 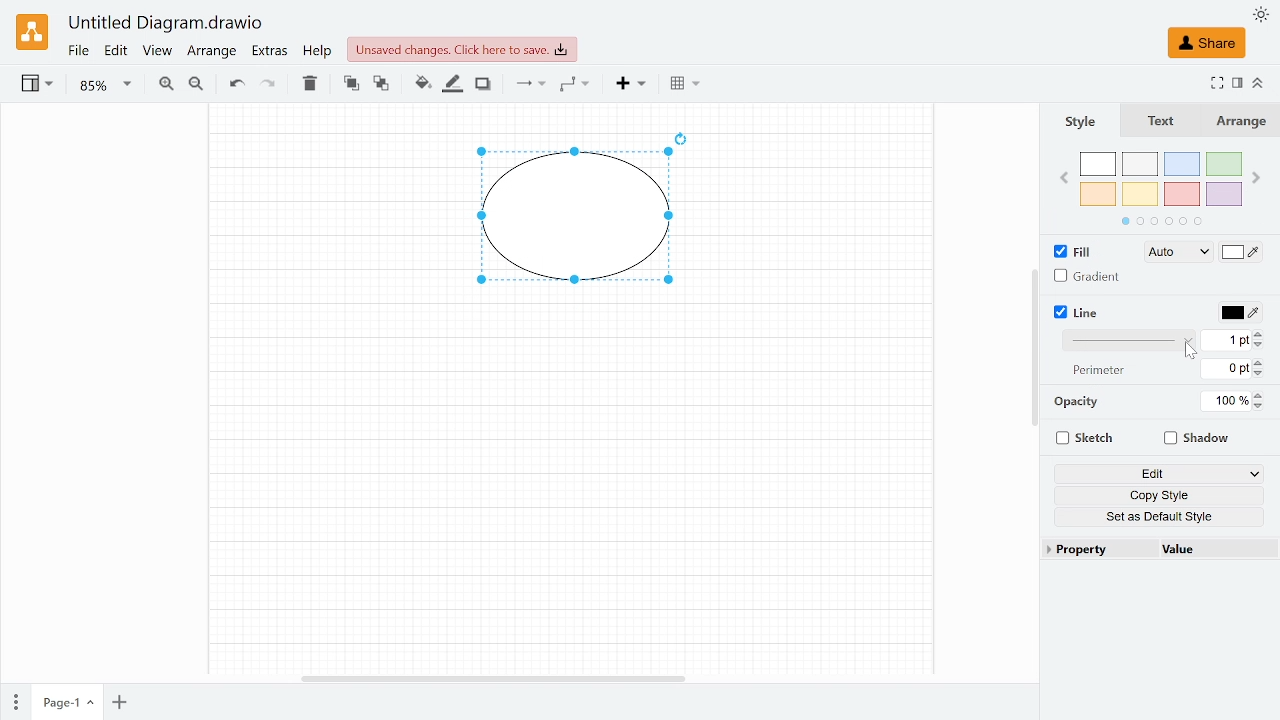 I want to click on redo, so click(x=269, y=87).